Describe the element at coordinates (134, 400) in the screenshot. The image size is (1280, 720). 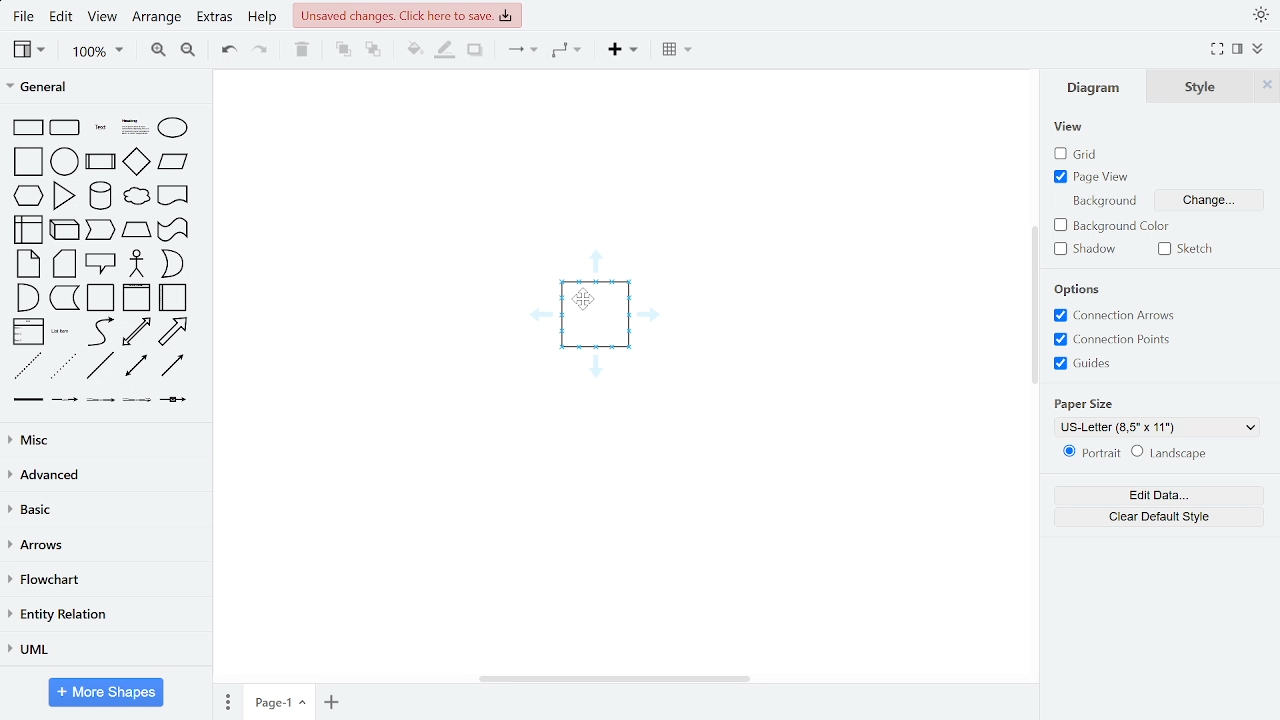
I see `` at that location.